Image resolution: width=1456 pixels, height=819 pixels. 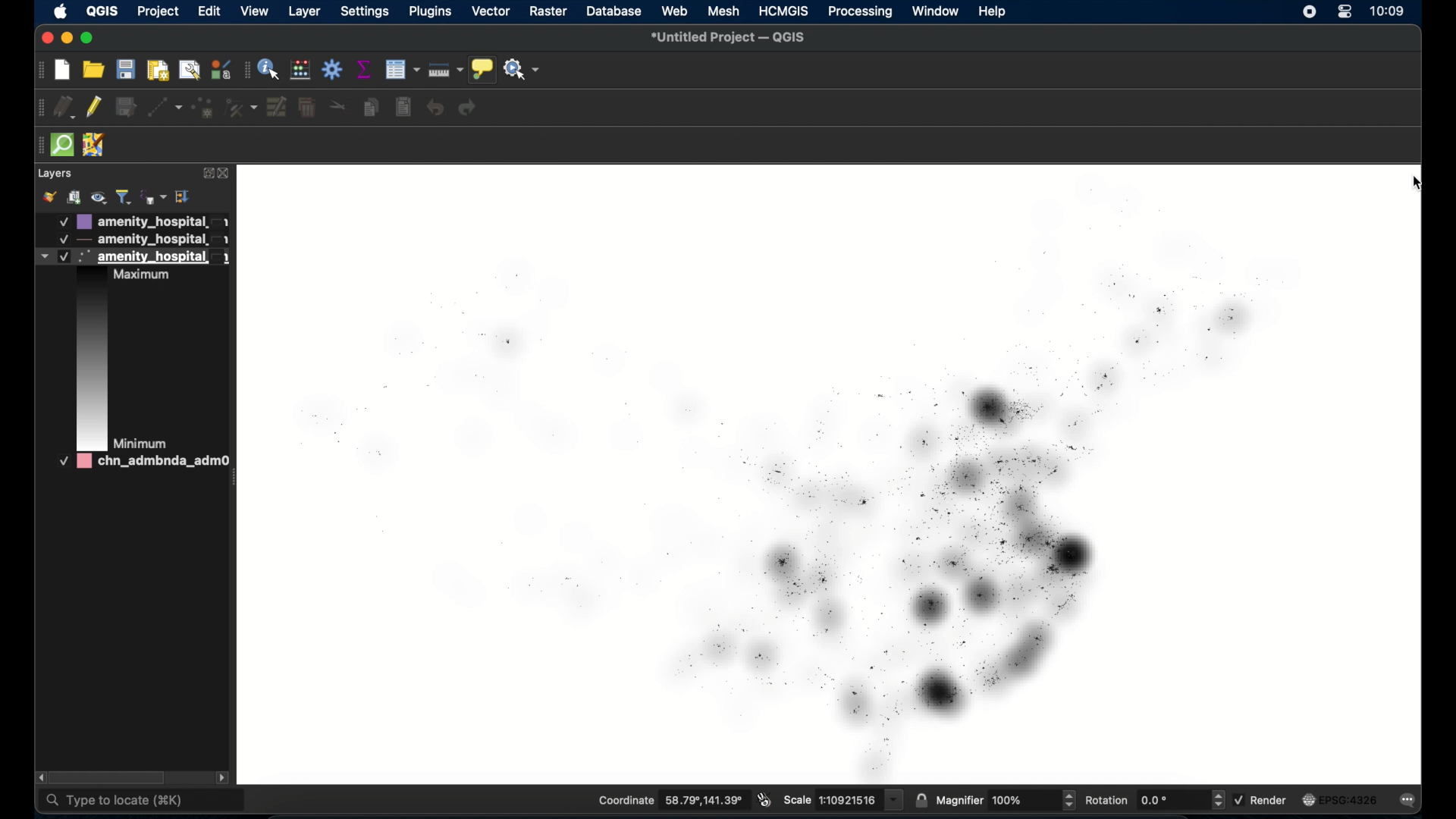 What do you see at coordinates (1307, 13) in the screenshot?
I see `screen recorder` at bounding box center [1307, 13].